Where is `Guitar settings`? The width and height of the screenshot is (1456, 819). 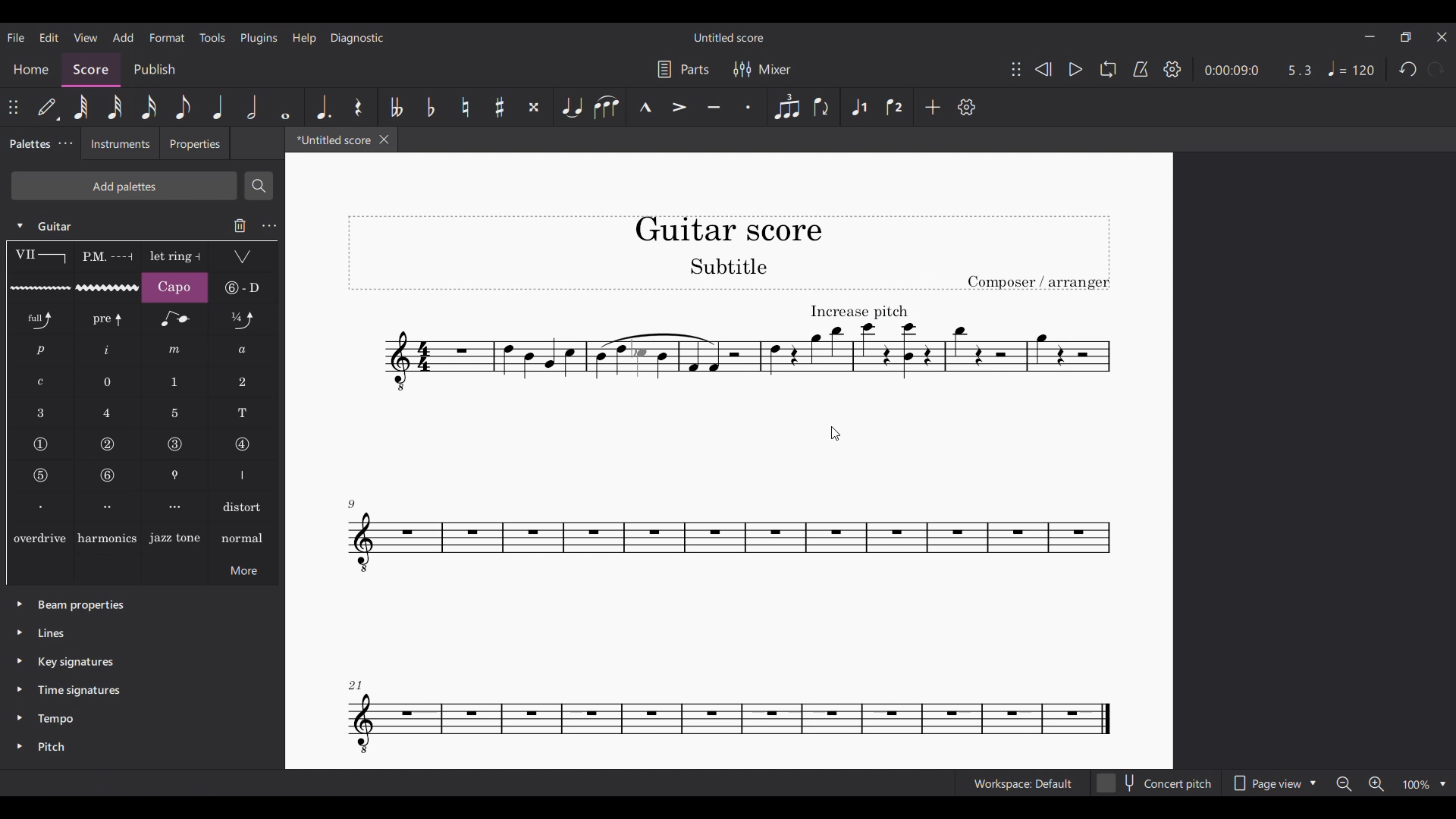 Guitar settings is located at coordinates (269, 226).